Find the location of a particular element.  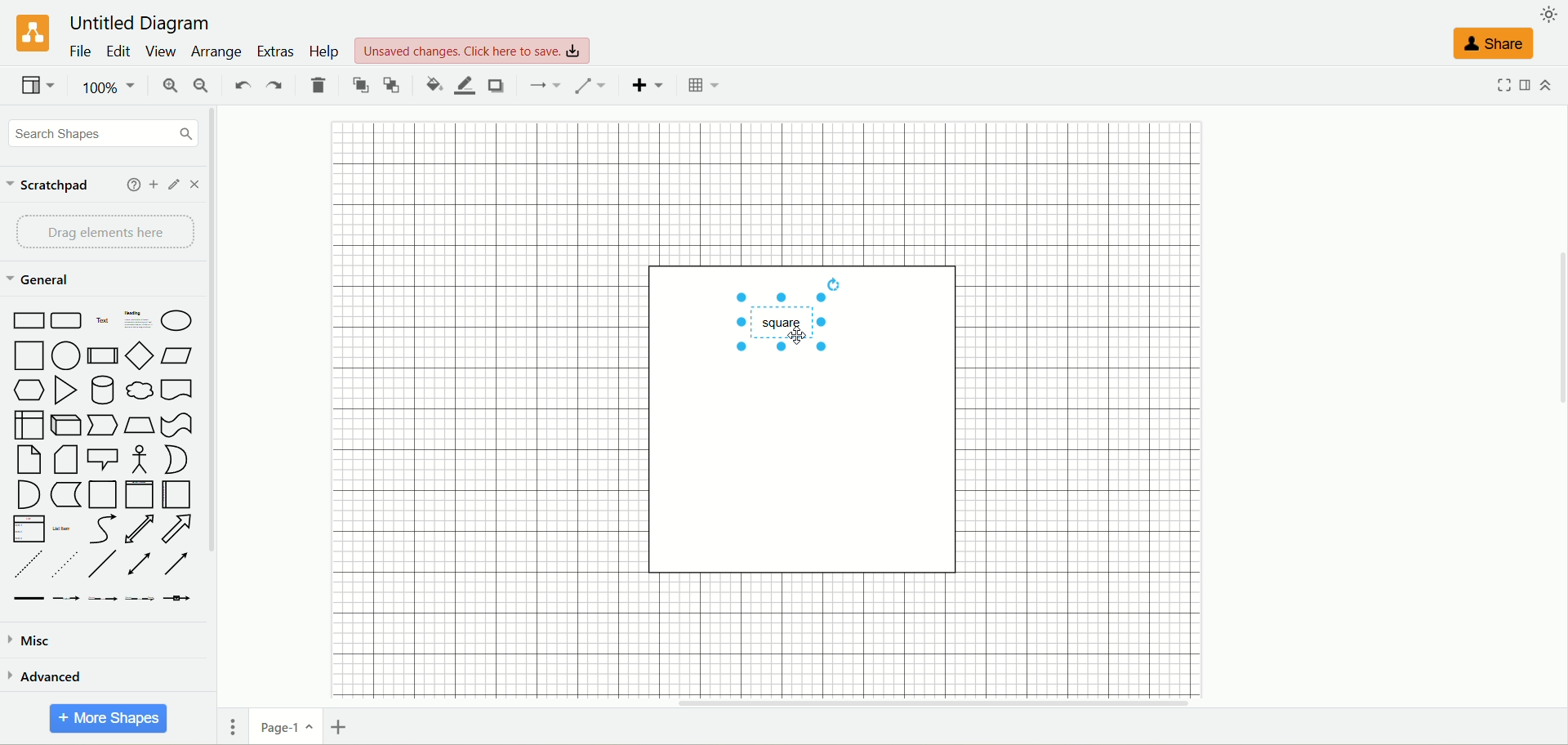

title is located at coordinates (140, 21).